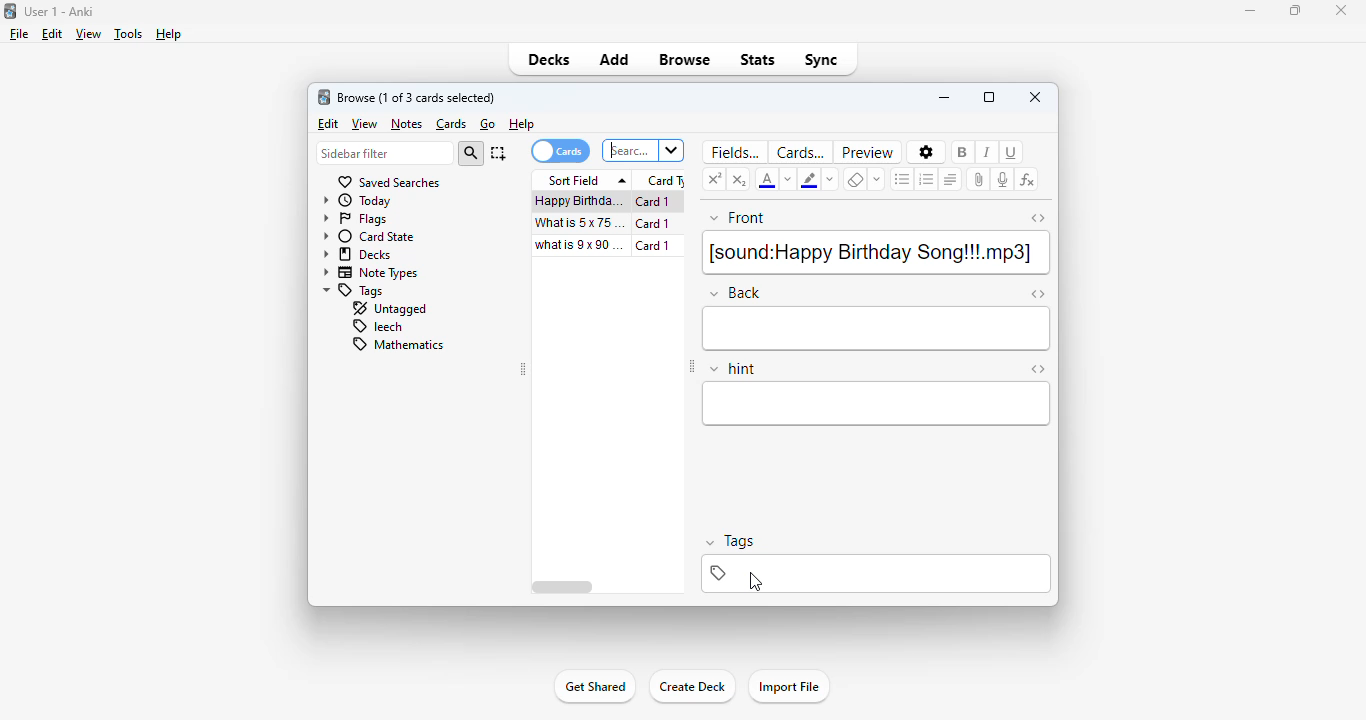 The width and height of the screenshot is (1366, 720). I want to click on toggle HTML editor, so click(1037, 218).